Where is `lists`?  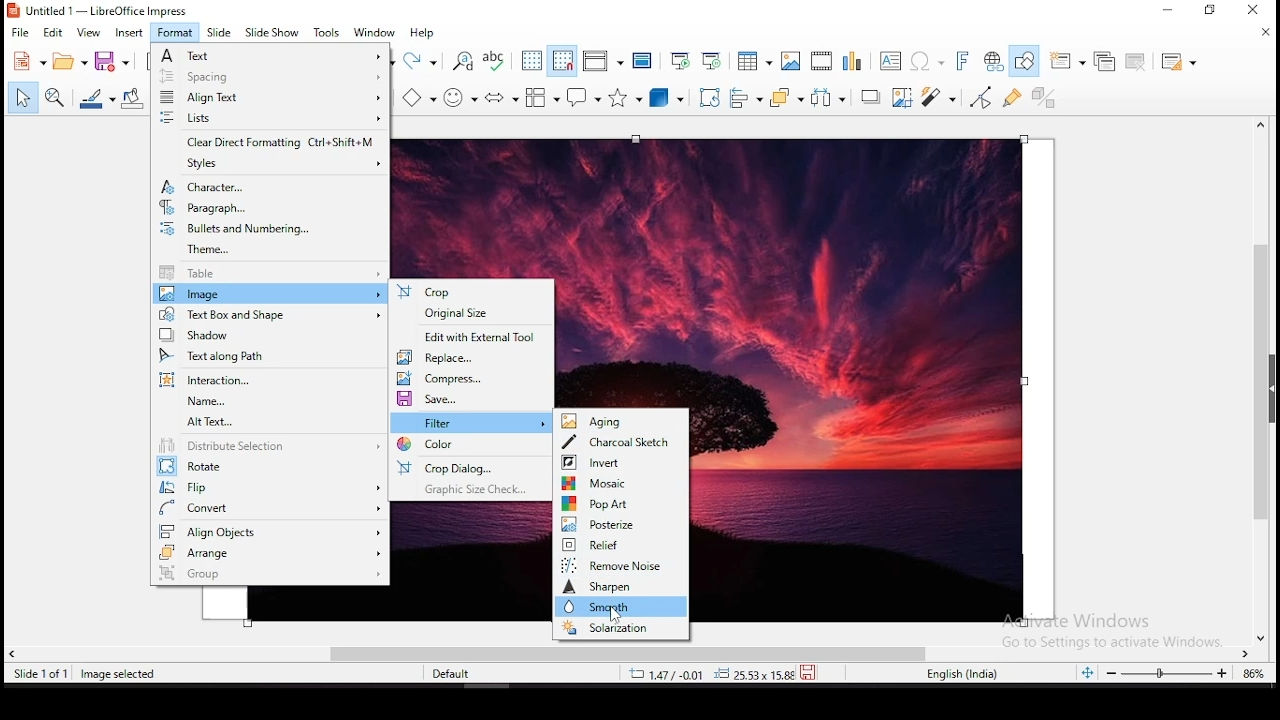 lists is located at coordinates (268, 119).